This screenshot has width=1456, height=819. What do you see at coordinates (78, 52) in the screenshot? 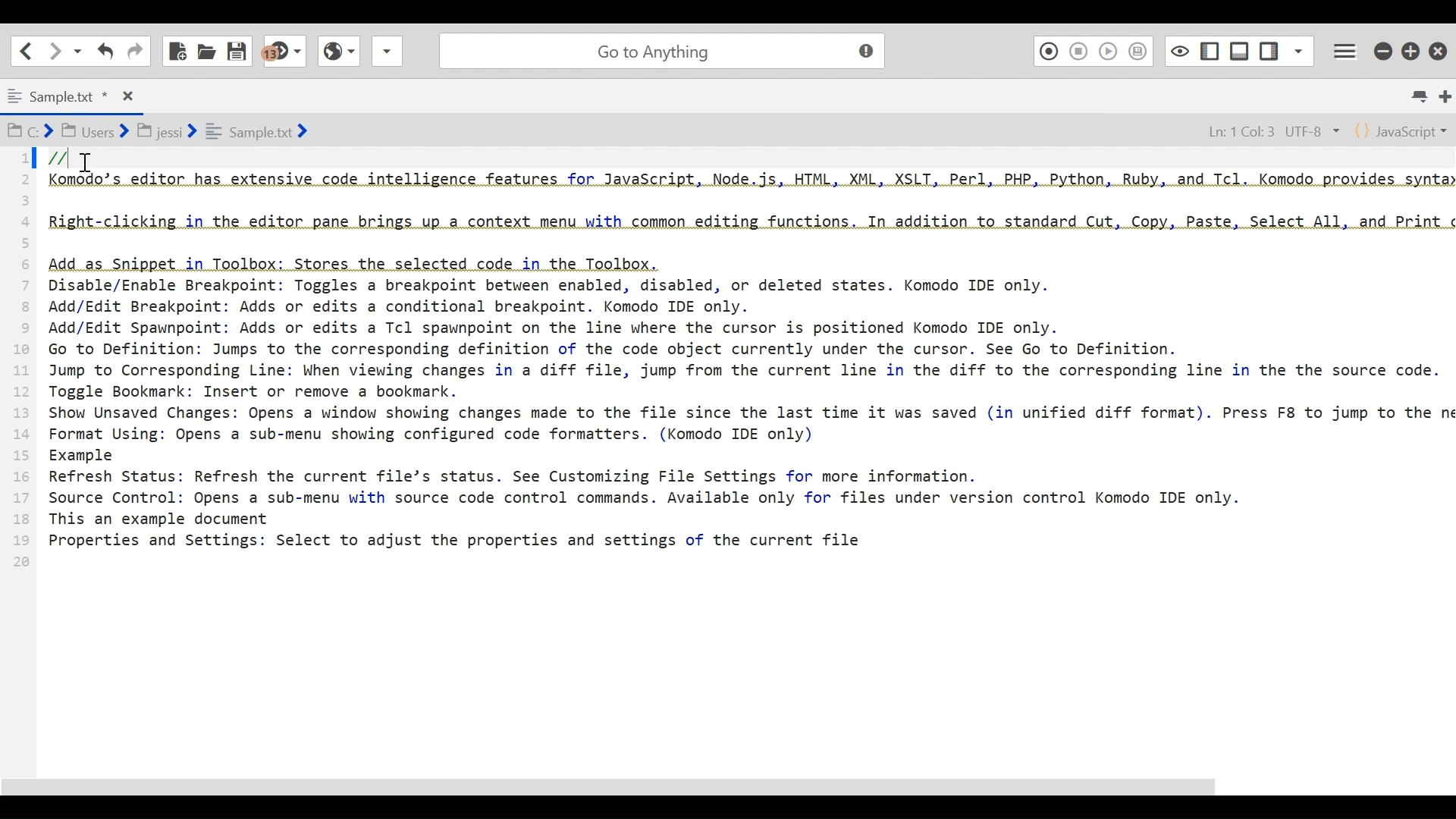
I see `Recent locations` at bounding box center [78, 52].